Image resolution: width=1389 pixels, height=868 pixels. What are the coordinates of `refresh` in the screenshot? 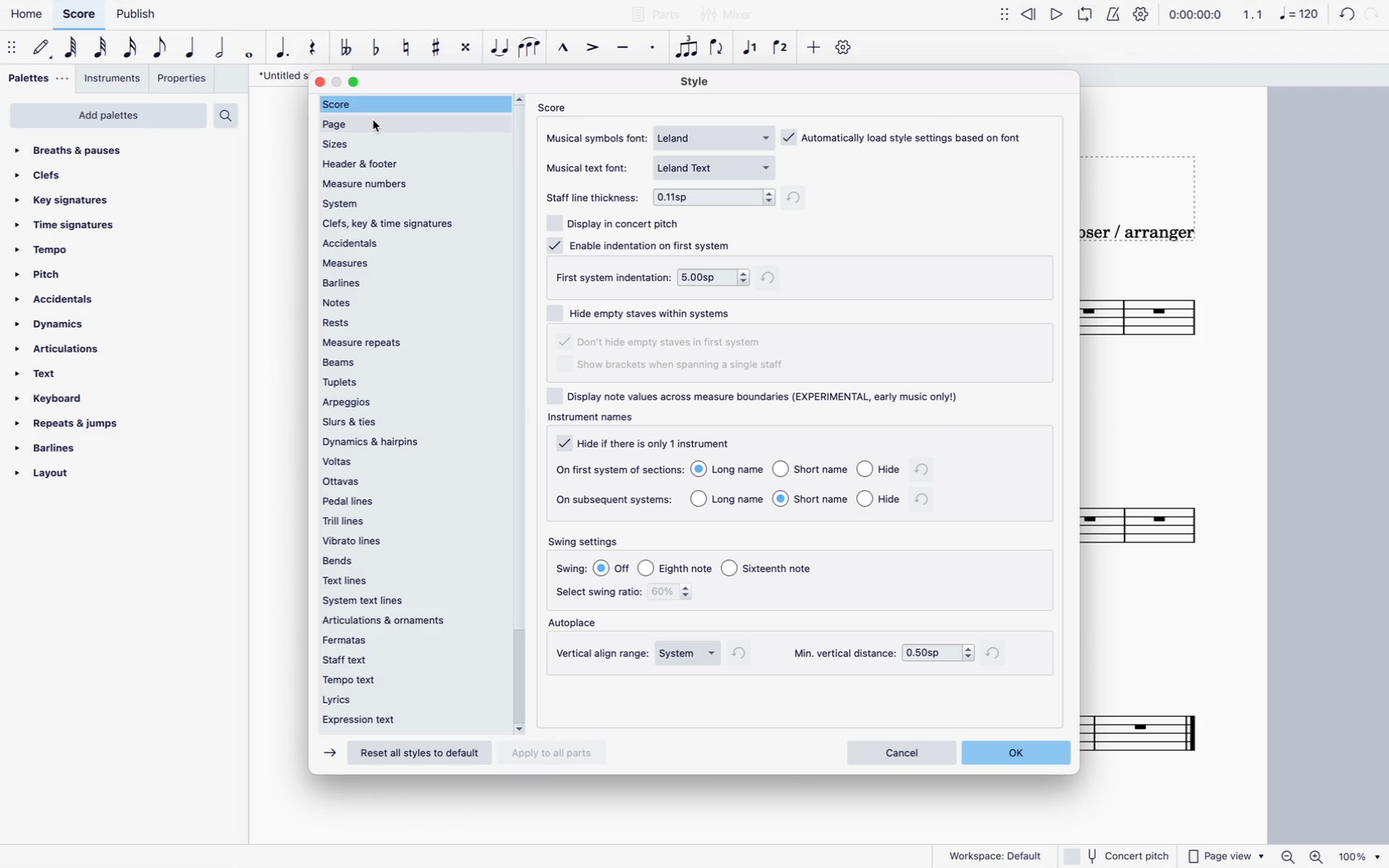 It's located at (803, 197).